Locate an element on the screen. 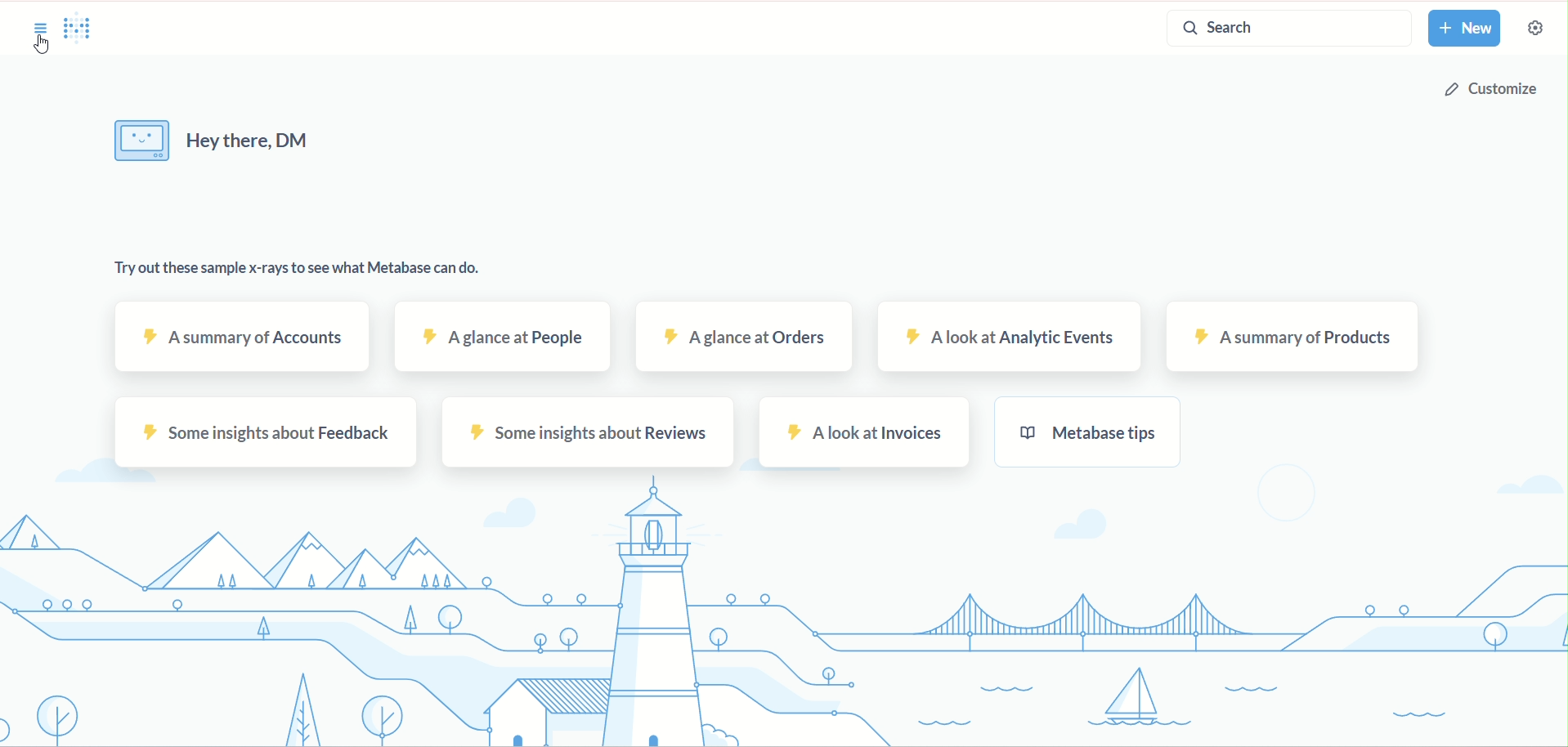 The height and width of the screenshot is (747, 1568). search is located at coordinates (1283, 28).